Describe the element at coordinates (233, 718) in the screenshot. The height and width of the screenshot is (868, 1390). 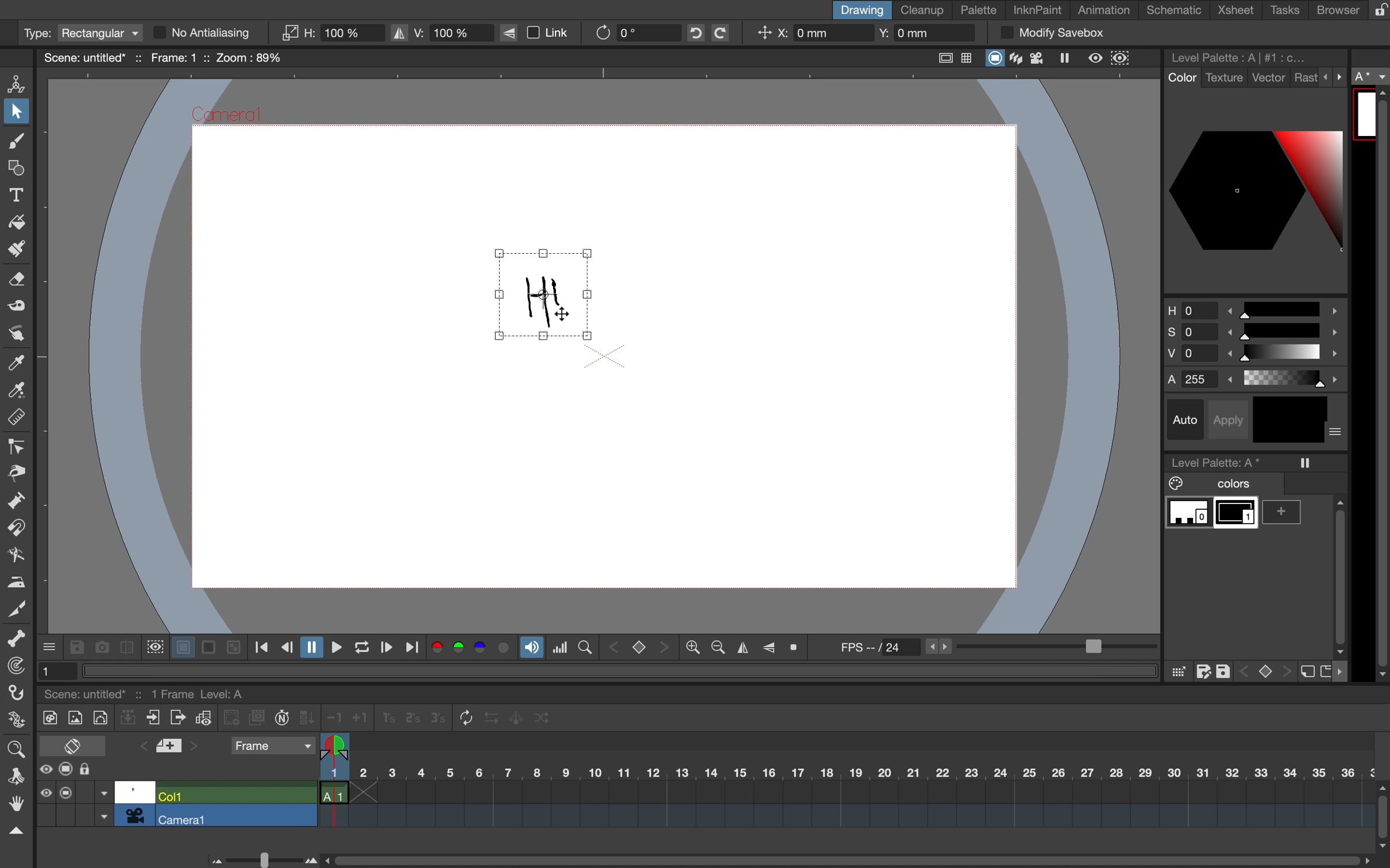
I see `create blank drawing` at that location.